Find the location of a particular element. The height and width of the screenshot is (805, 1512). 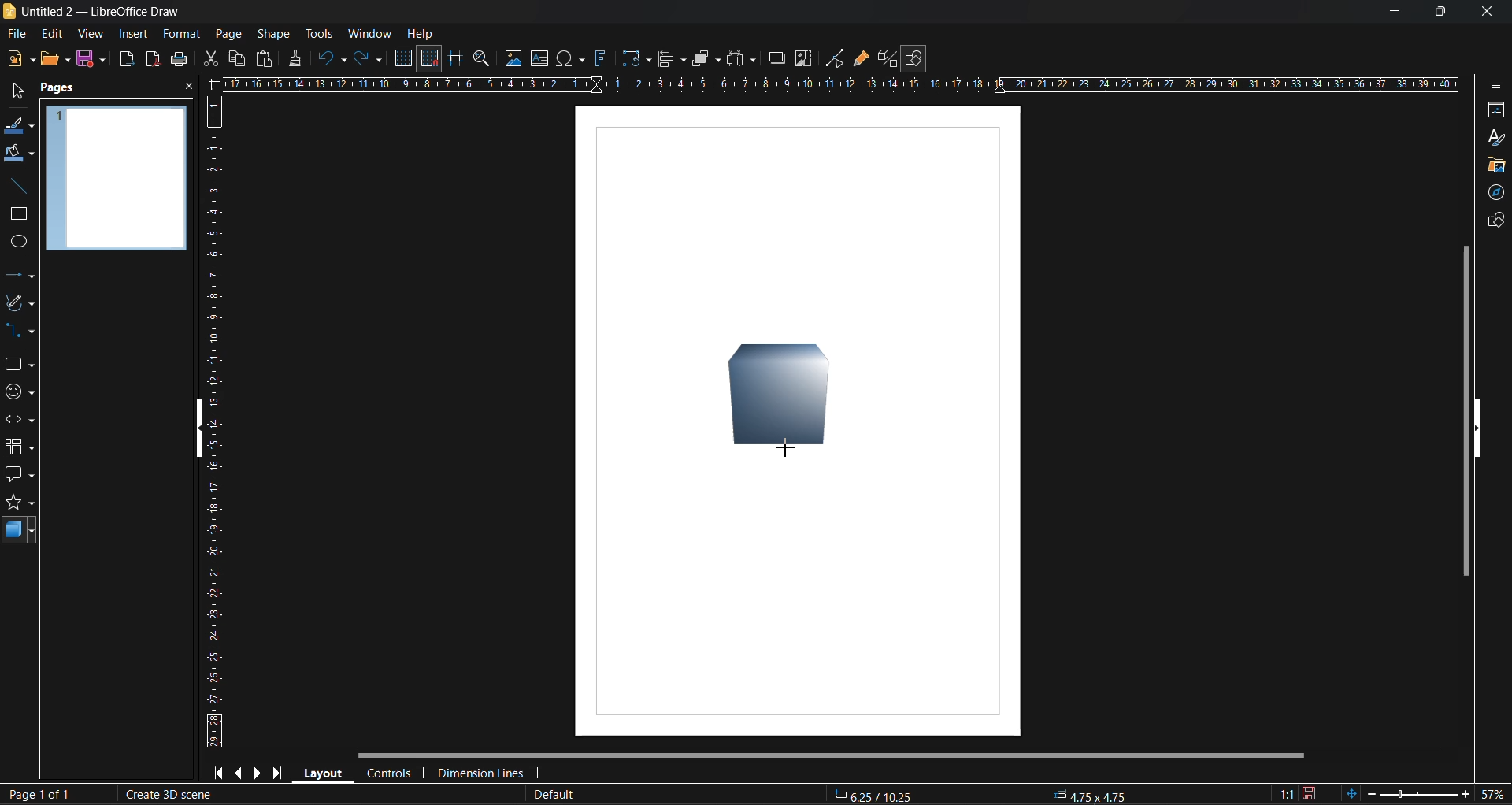

stars and banners is located at coordinates (19, 506).